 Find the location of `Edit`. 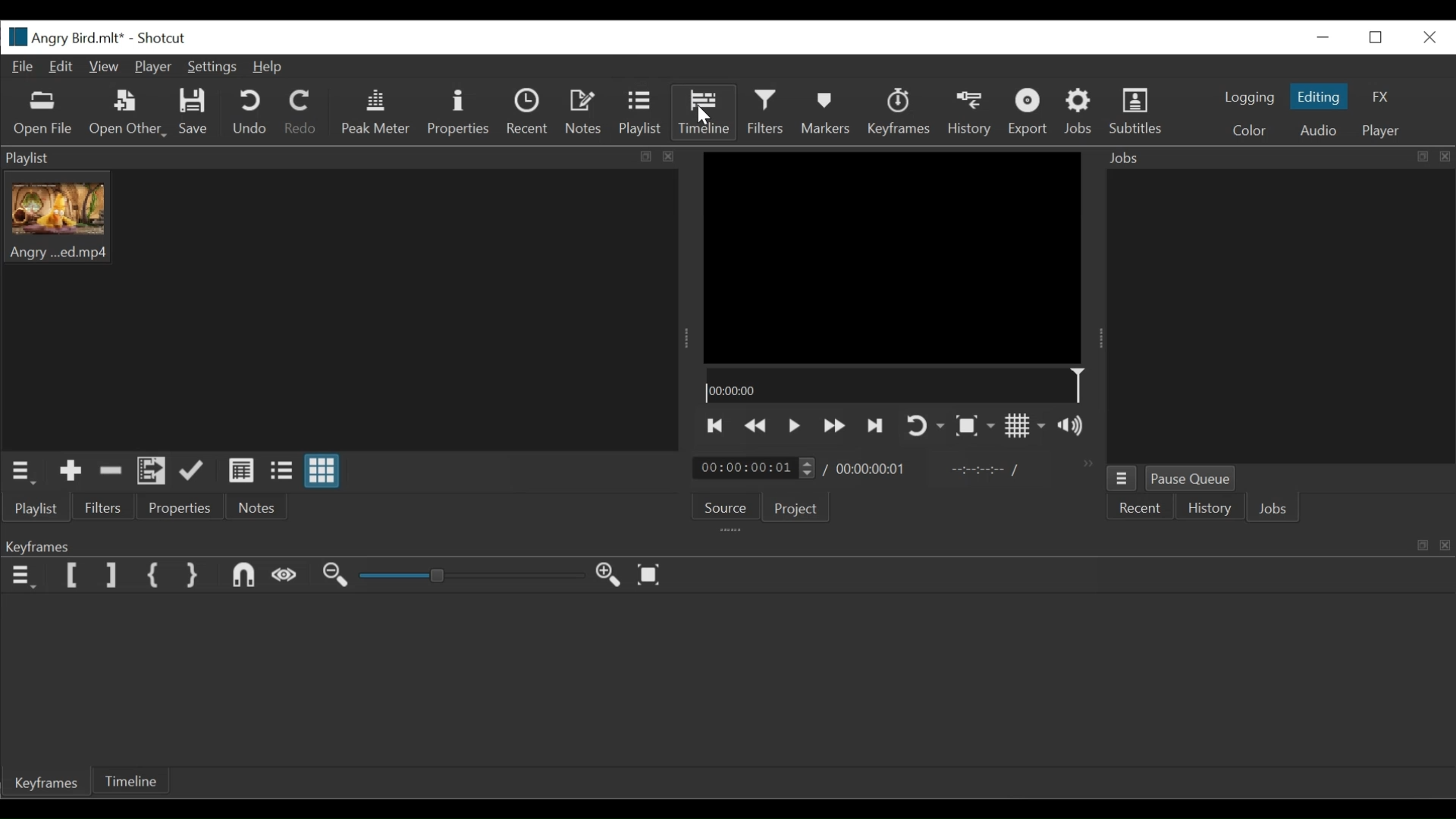

Edit is located at coordinates (63, 67).